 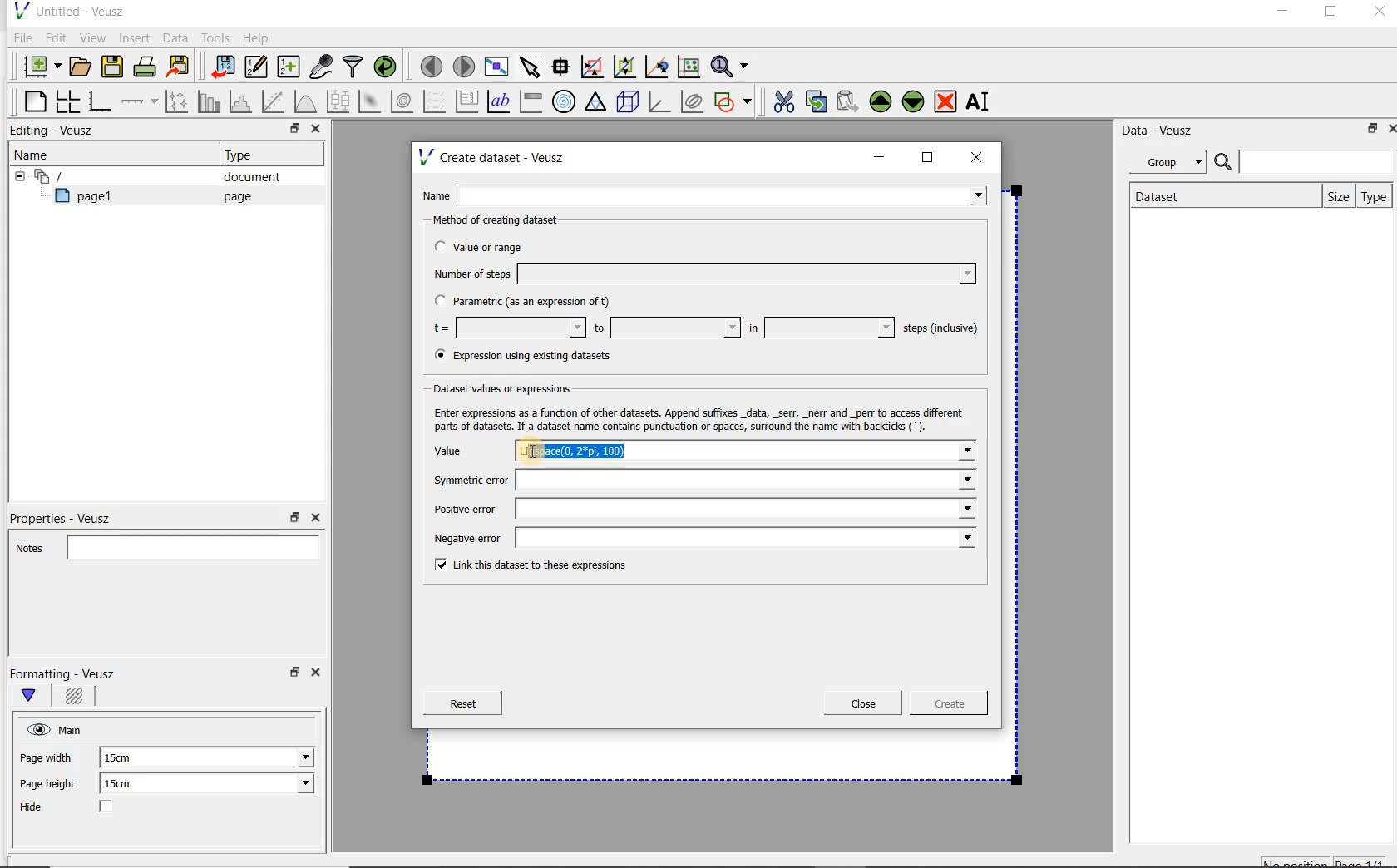 What do you see at coordinates (944, 706) in the screenshot?
I see `Create` at bounding box center [944, 706].